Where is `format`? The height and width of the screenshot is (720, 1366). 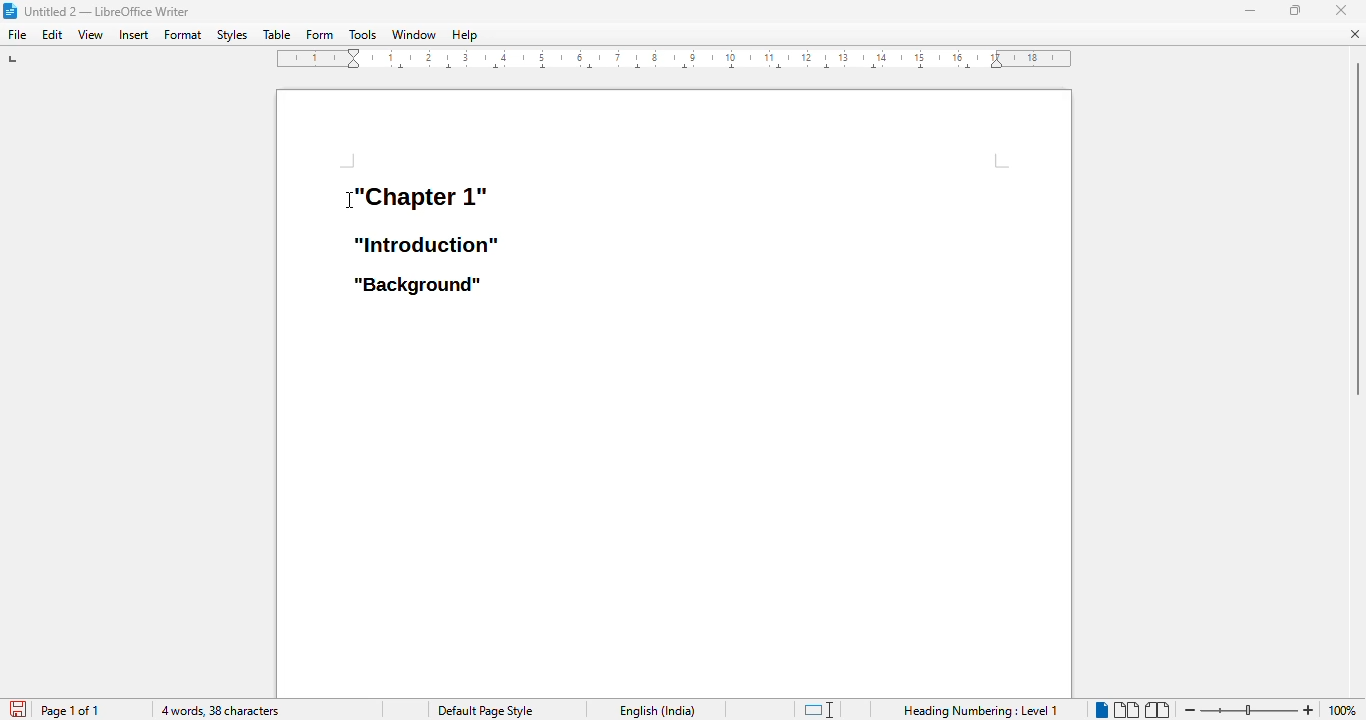 format is located at coordinates (182, 34).